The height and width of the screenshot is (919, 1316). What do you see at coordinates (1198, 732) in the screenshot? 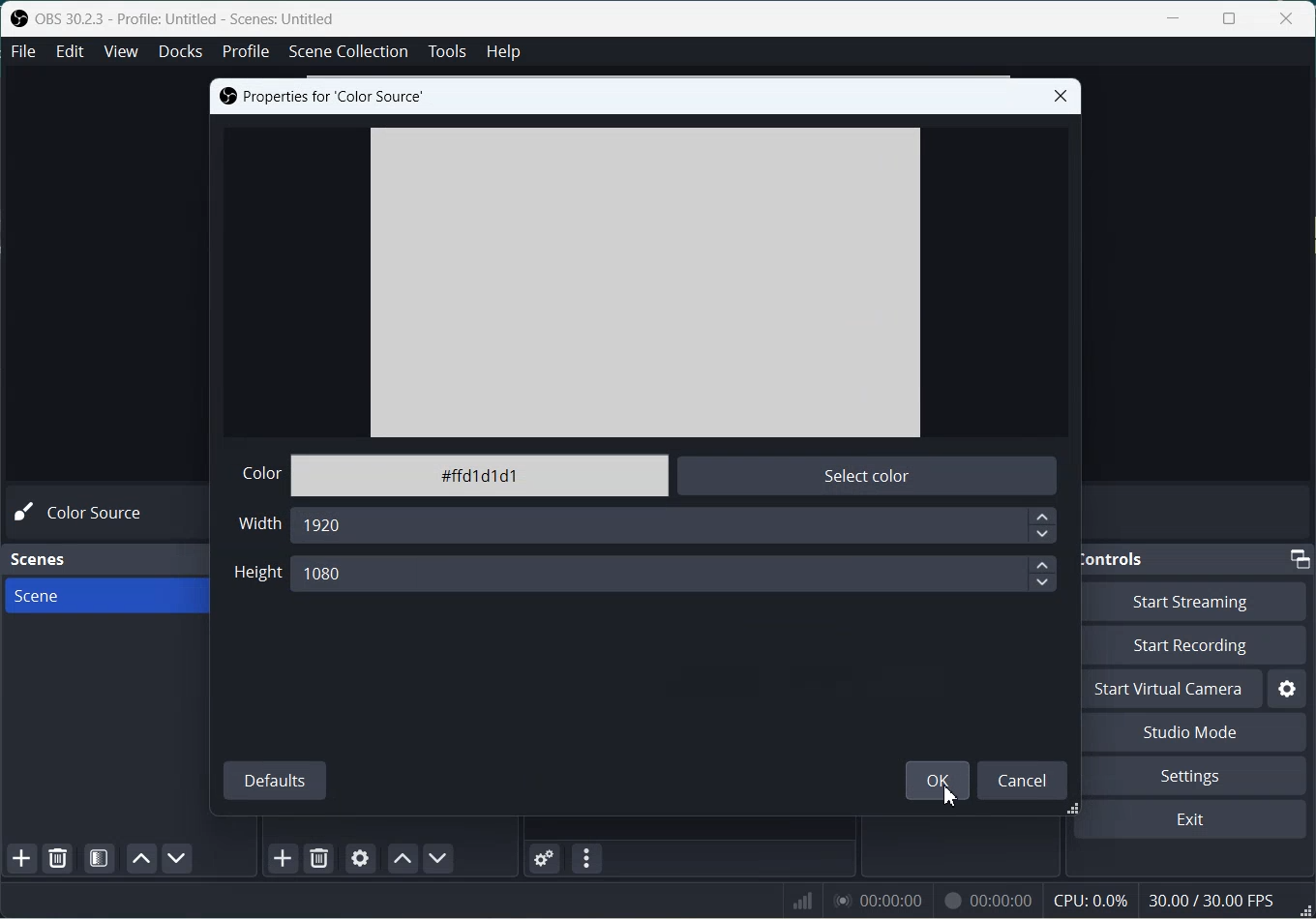
I see `Studio Mode` at bounding box center [1198, 732].